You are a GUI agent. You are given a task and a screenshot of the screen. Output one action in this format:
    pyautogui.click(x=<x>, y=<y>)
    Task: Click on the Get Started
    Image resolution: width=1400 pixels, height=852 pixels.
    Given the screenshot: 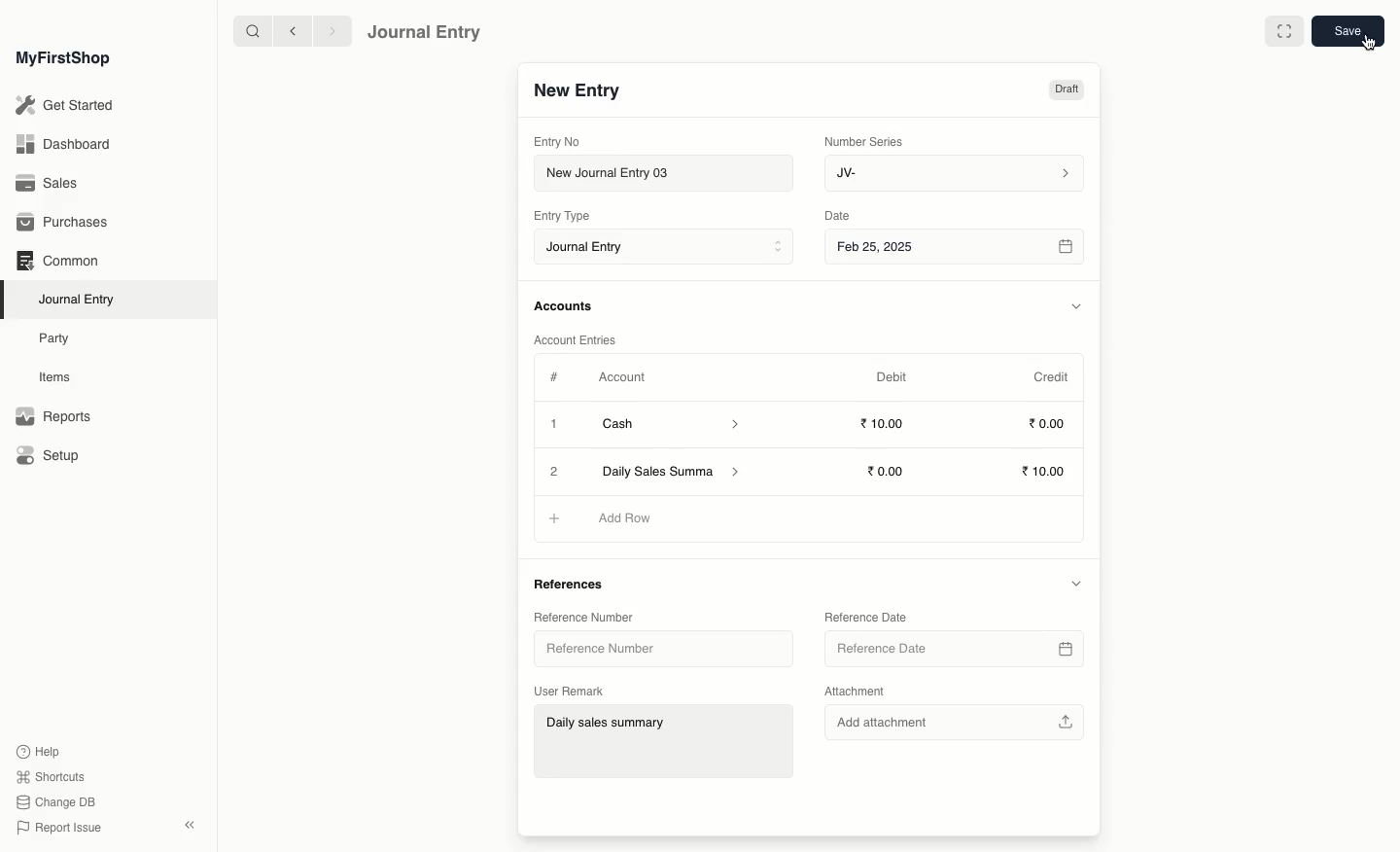 What is the action you would take?
    pyautogui.click(x=66, y=106)
    